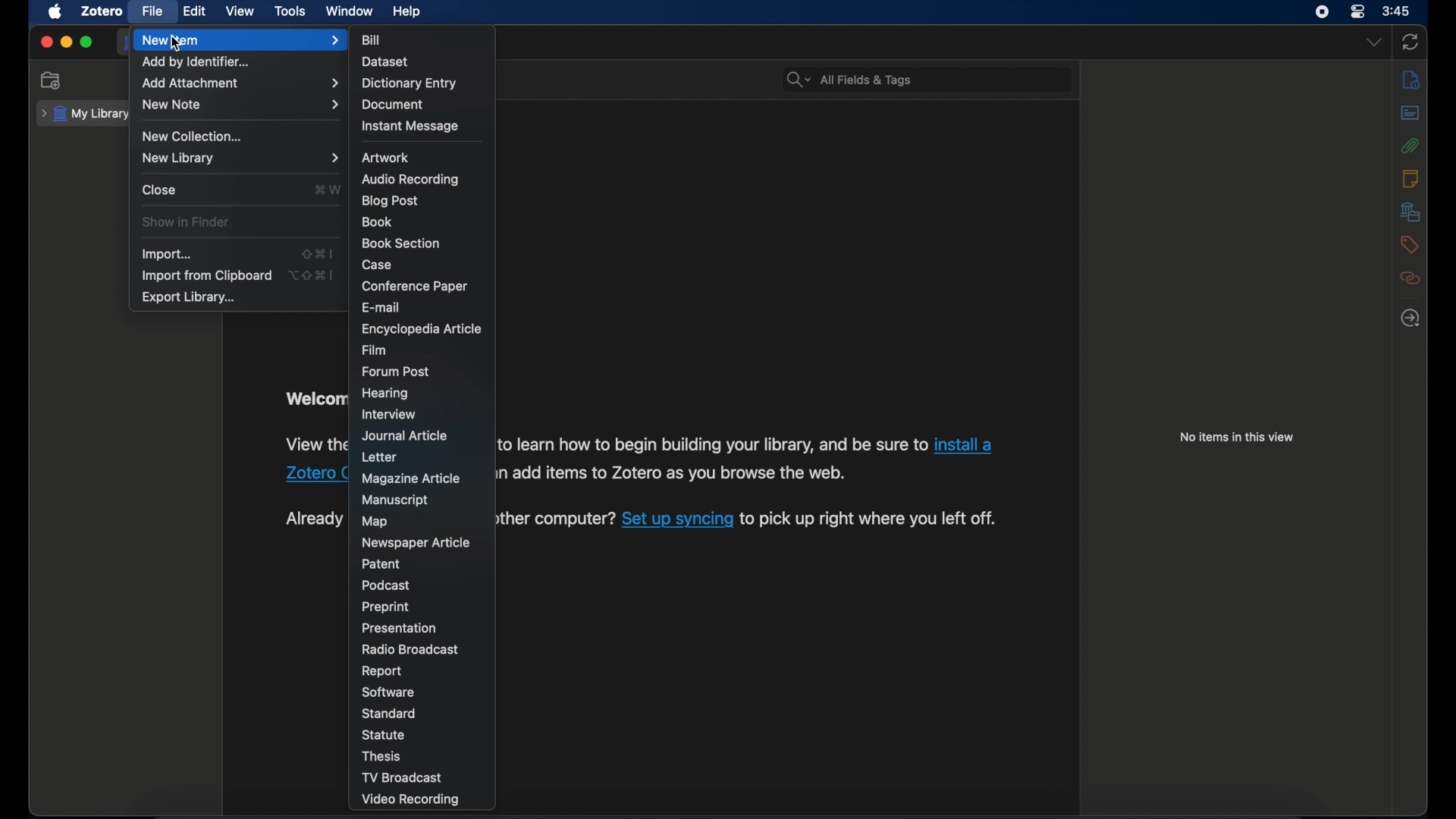 The image size is (1456, 819). I want to click on journal article, so click(404, 435).